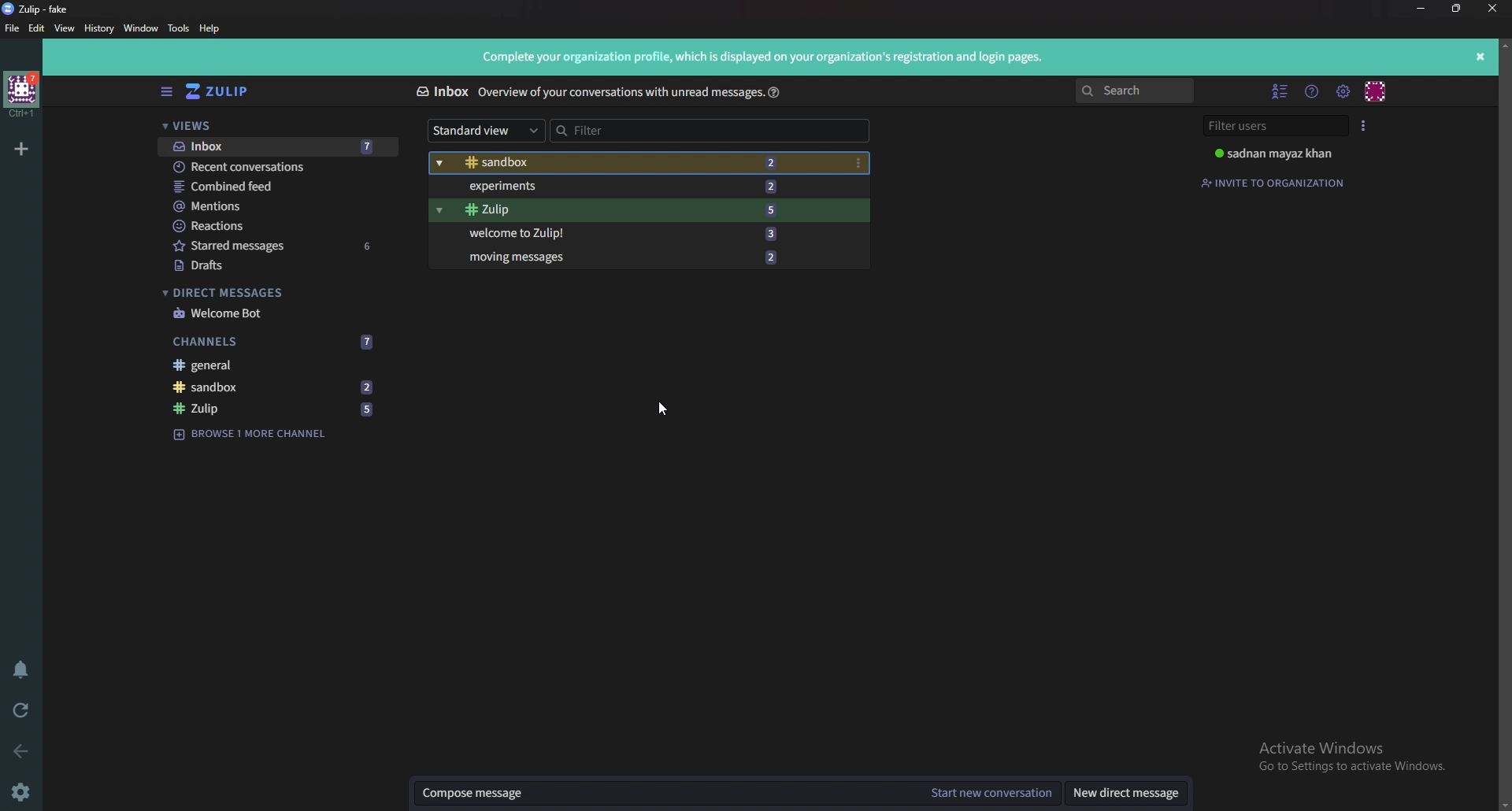  What do you see at coordinates (276, 313) in the screenshot?
I see `welcome bot` at bounding box center [276, 313].